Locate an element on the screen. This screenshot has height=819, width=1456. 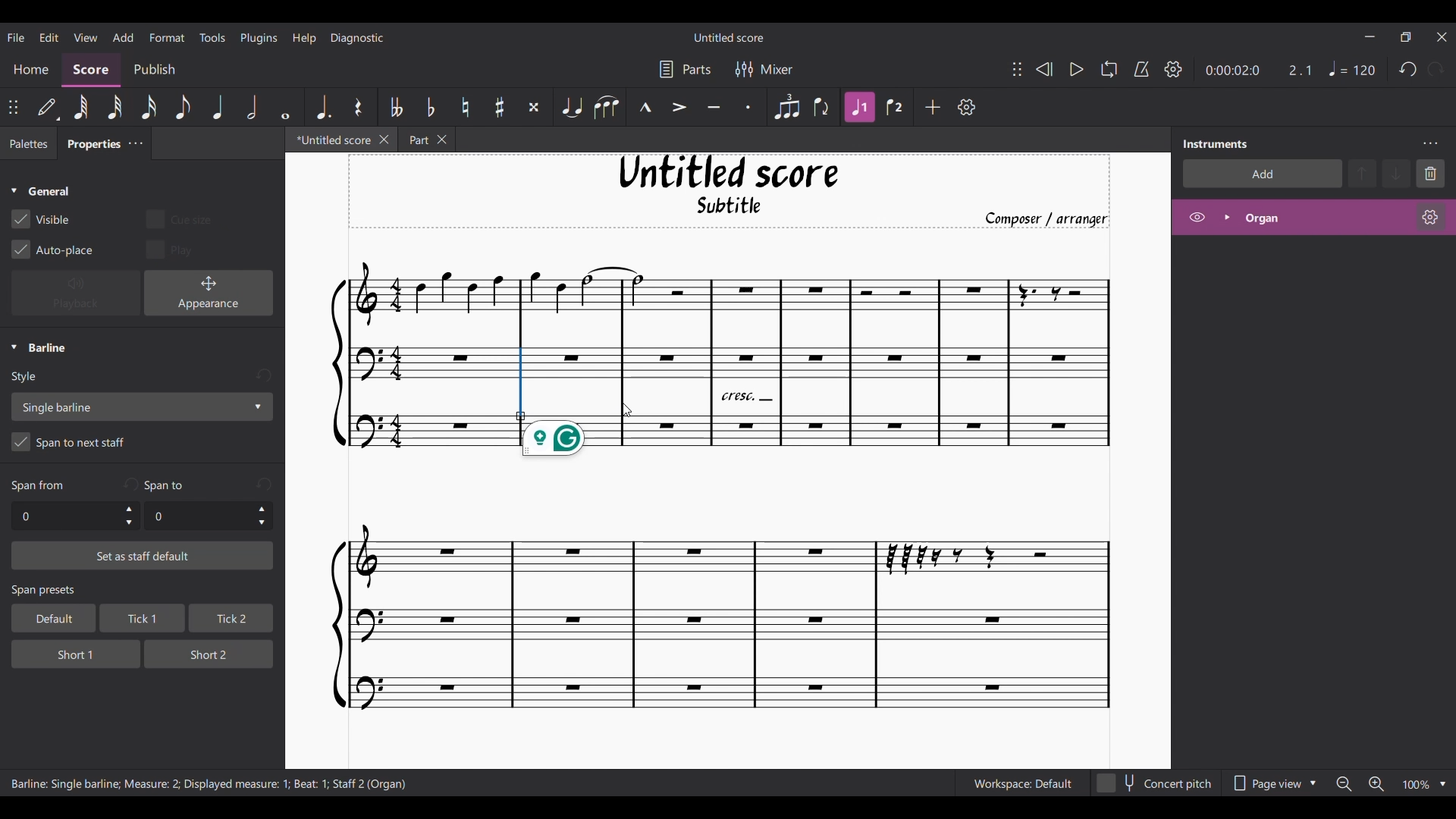
Untitled Score is located at coordinates (729, 172).